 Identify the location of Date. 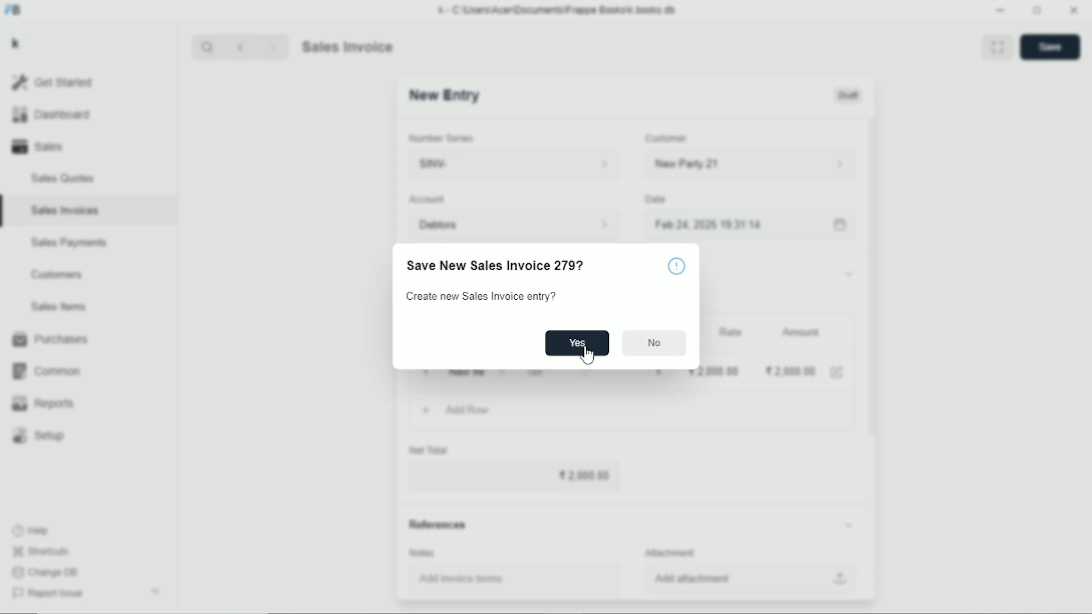
(655, 199).